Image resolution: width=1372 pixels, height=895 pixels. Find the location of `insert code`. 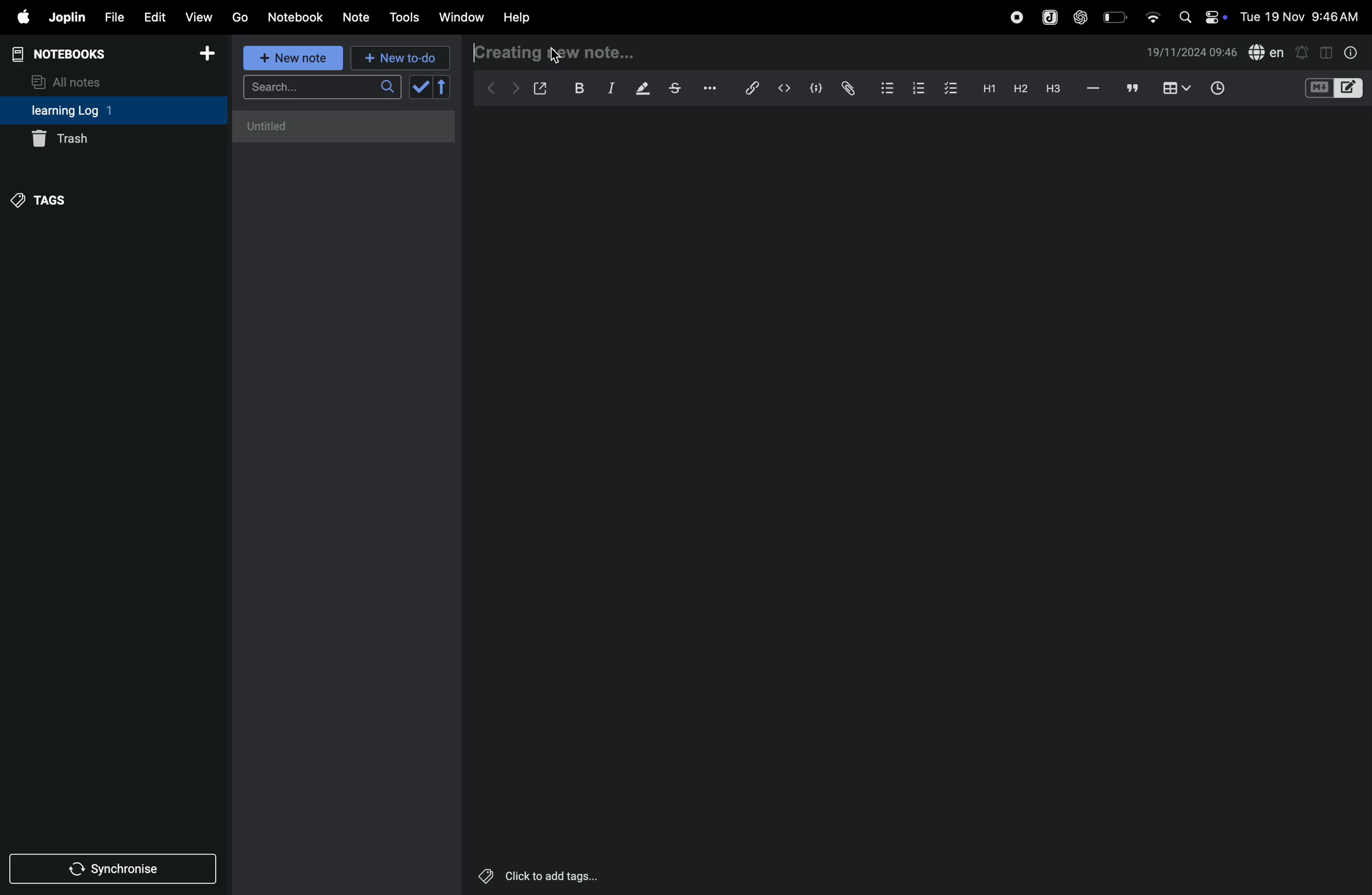

insert code is located at coordinates (785, 88).